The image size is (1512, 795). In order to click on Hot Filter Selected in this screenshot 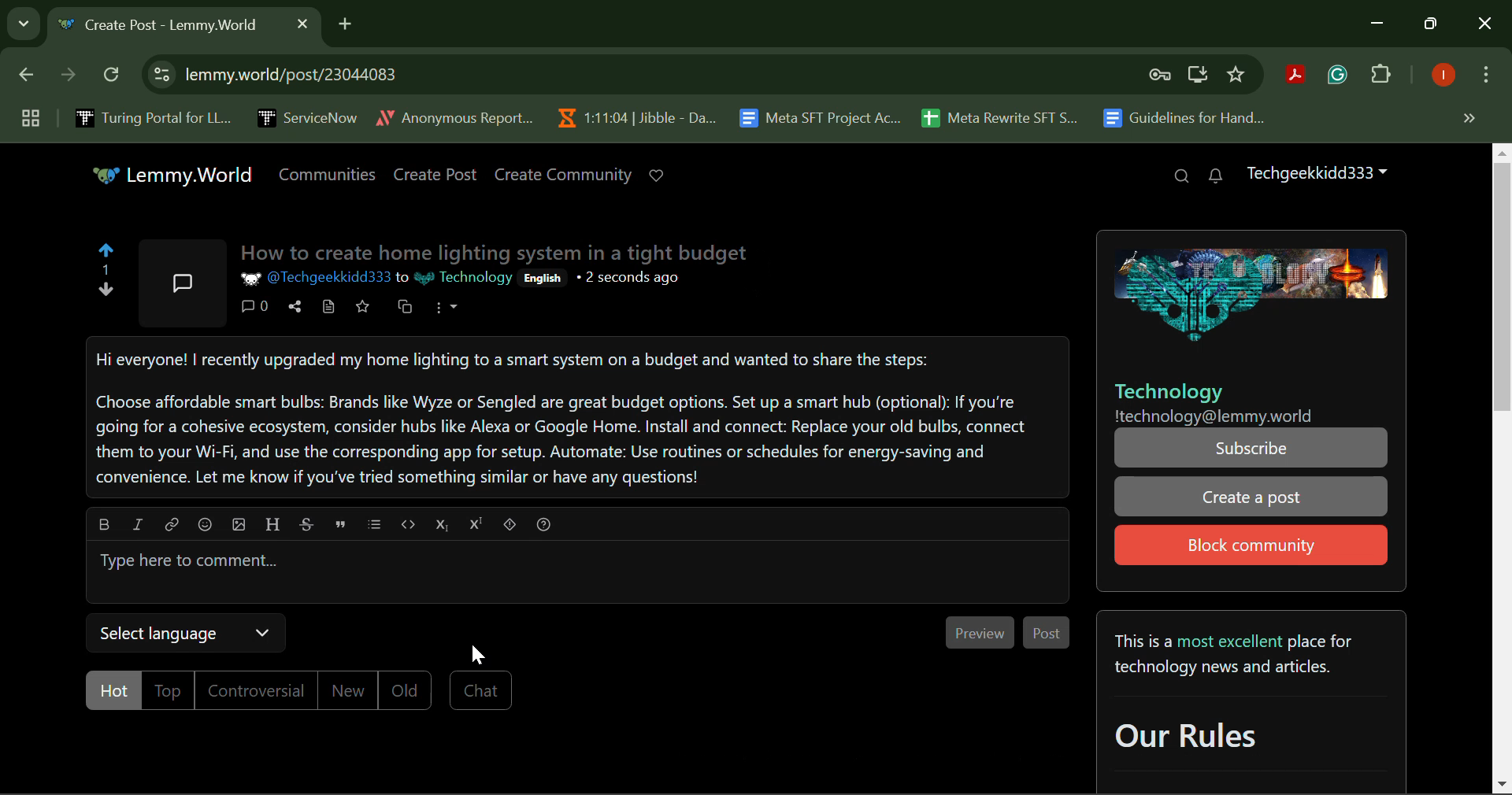, I will do `click(115, 692)`.